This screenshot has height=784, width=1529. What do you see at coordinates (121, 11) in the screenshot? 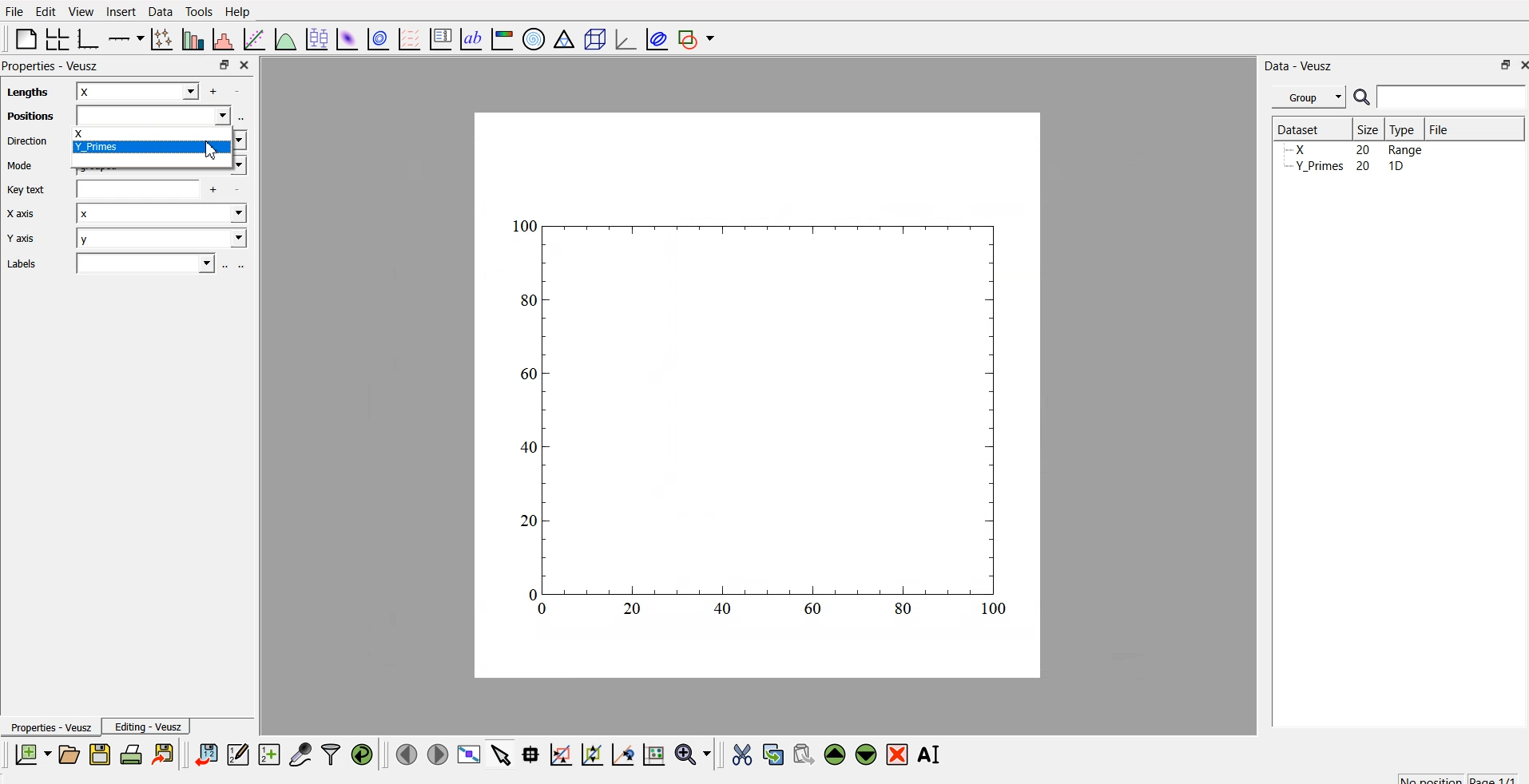
I see `Insert` at bounding box center [121, 11].